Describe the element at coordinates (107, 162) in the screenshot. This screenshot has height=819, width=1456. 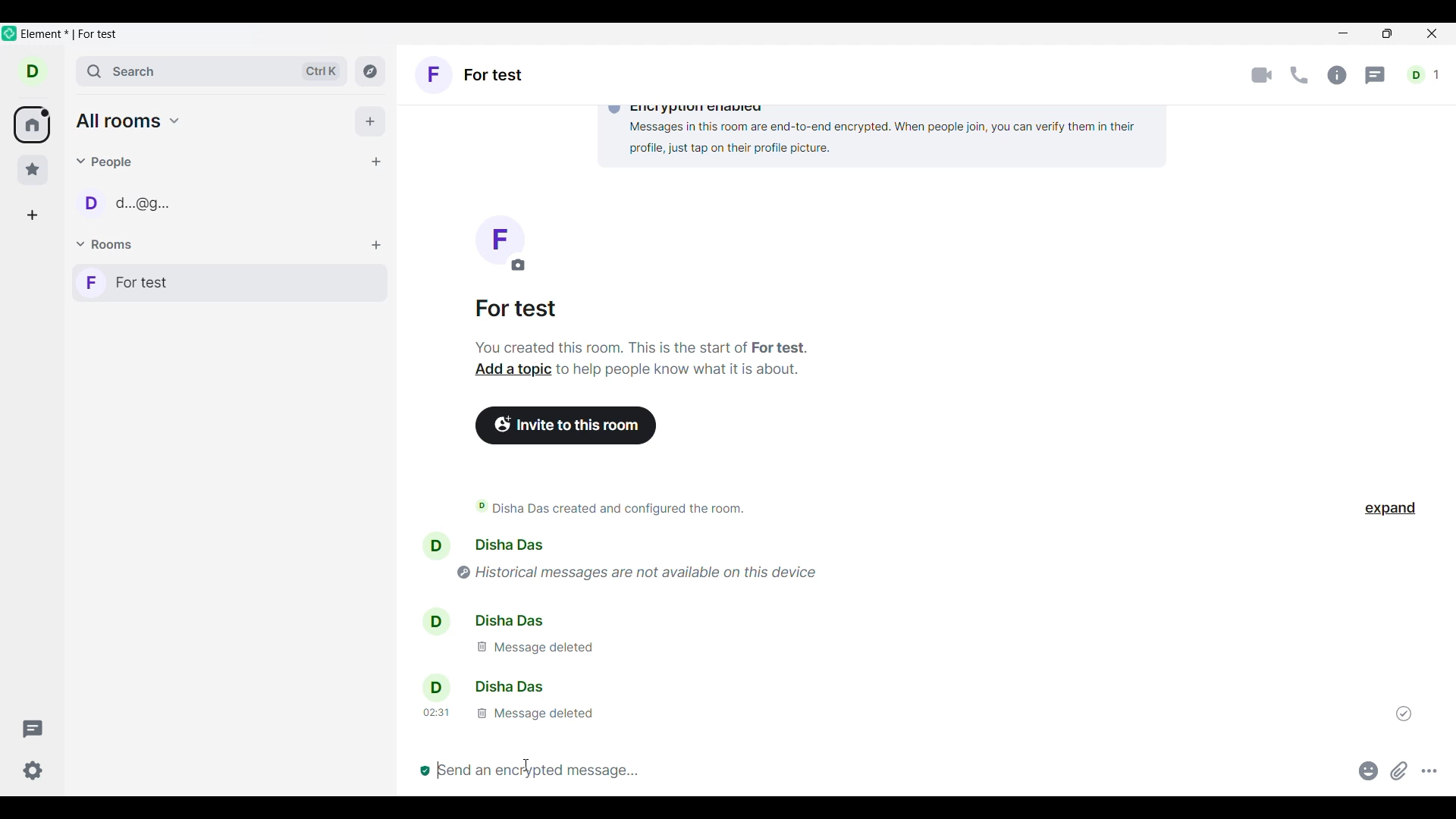
I see `People ` at that location.